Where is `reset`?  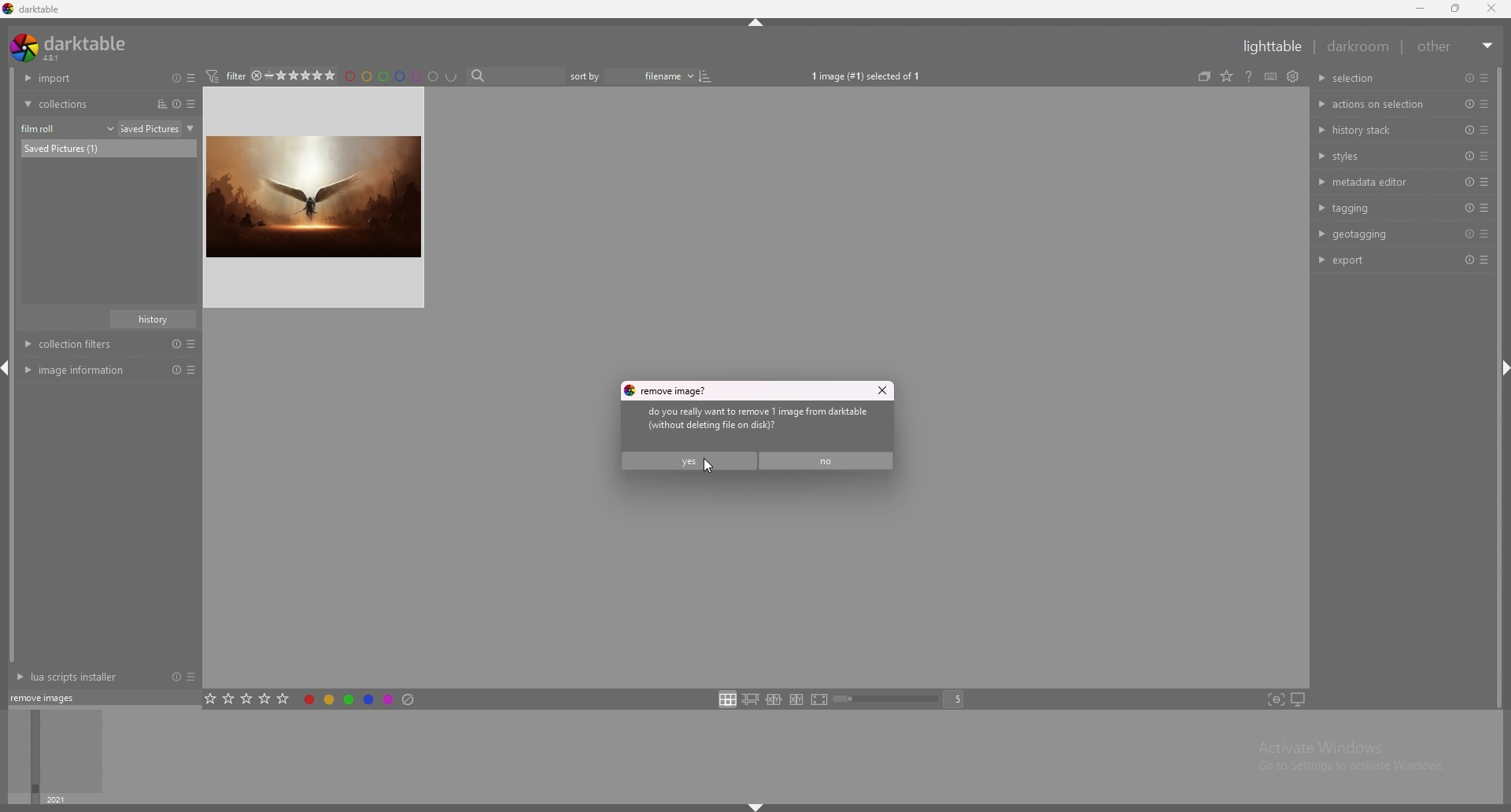
reset is located at coordinates (1470, 105).